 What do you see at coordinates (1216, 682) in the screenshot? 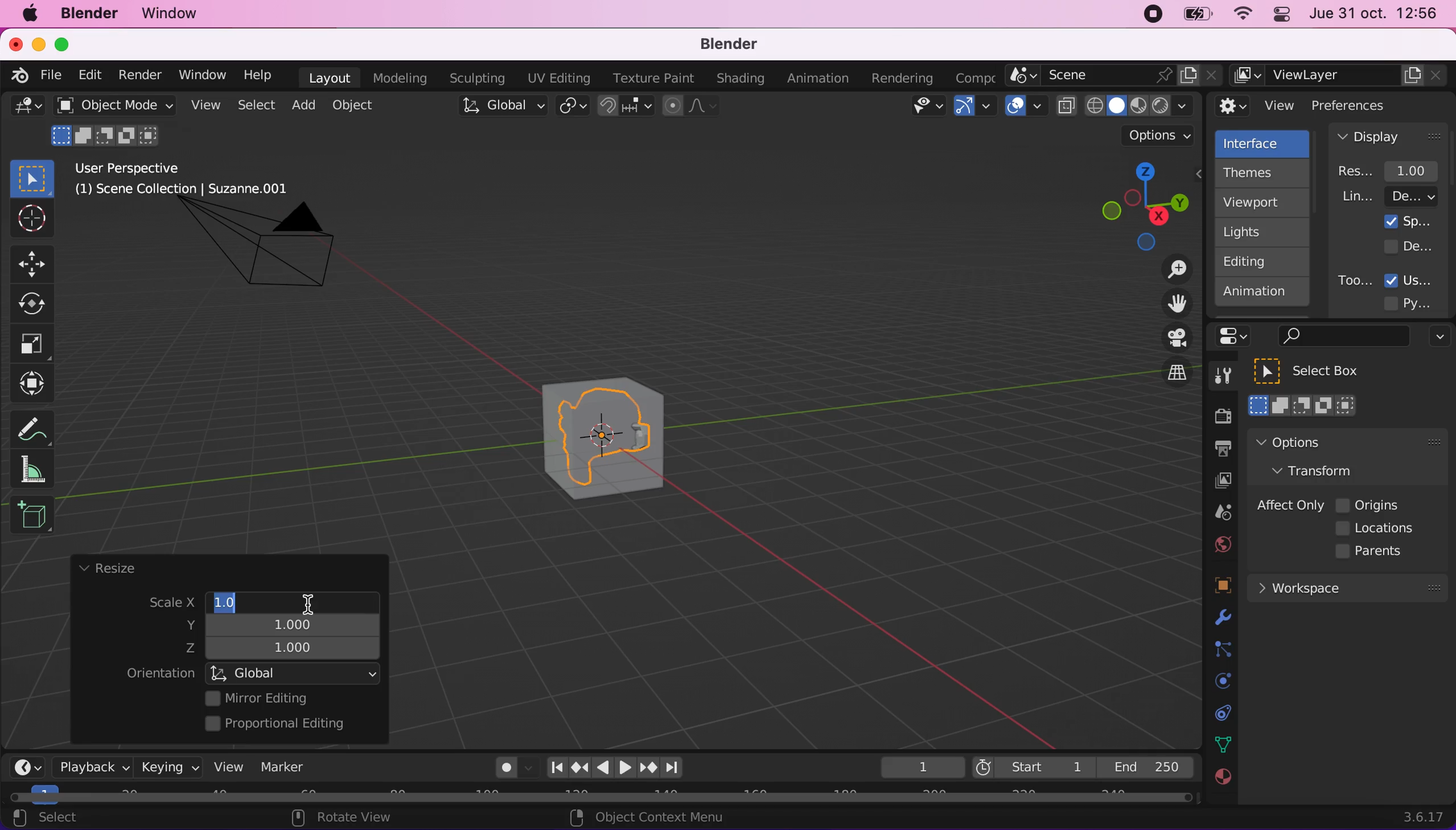
I see `physics prompts` at bounding box center [1216, 682].